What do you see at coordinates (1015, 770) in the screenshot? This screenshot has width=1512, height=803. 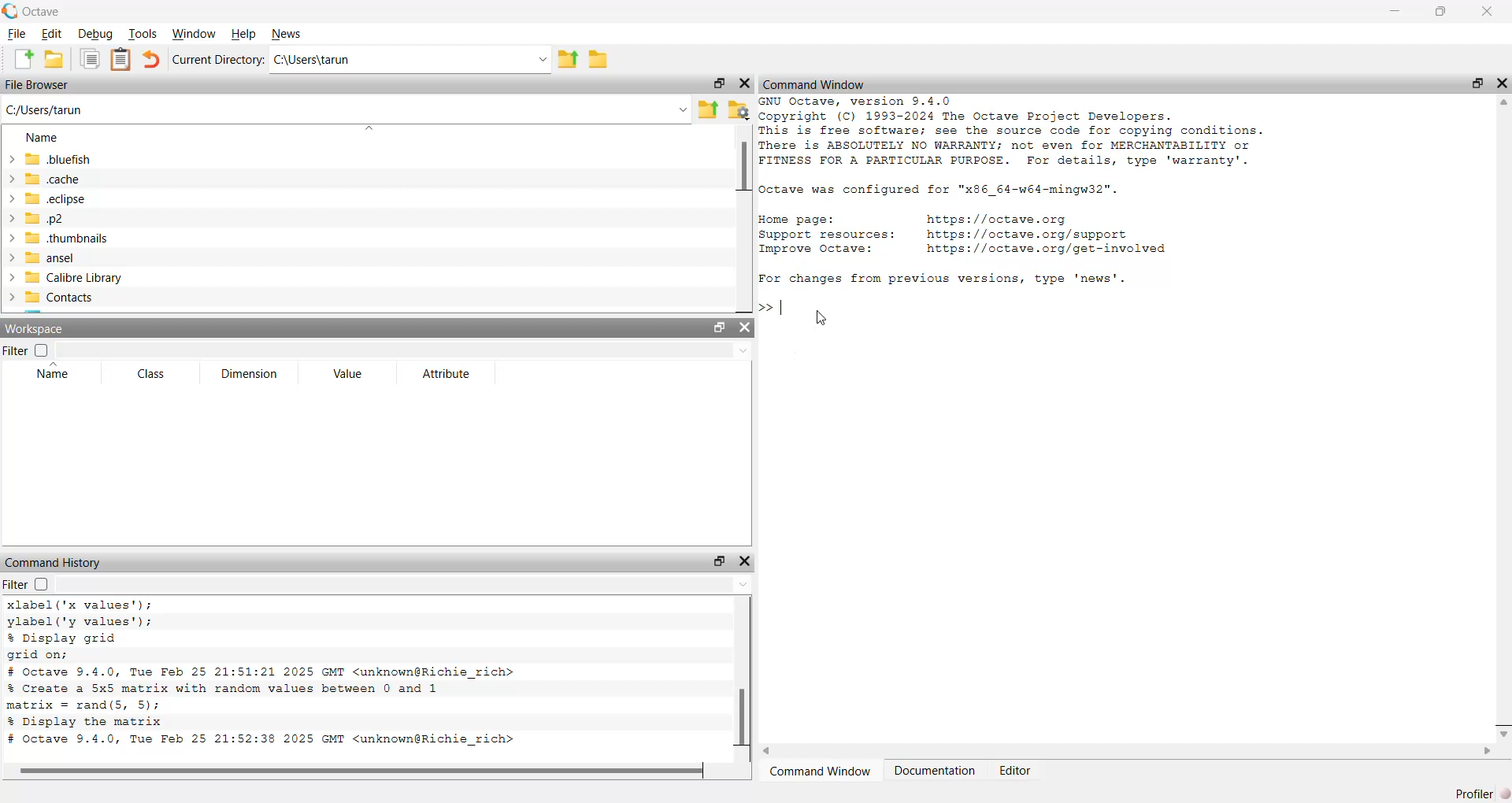 I see `Editor` at bounding box center [1015, 770].